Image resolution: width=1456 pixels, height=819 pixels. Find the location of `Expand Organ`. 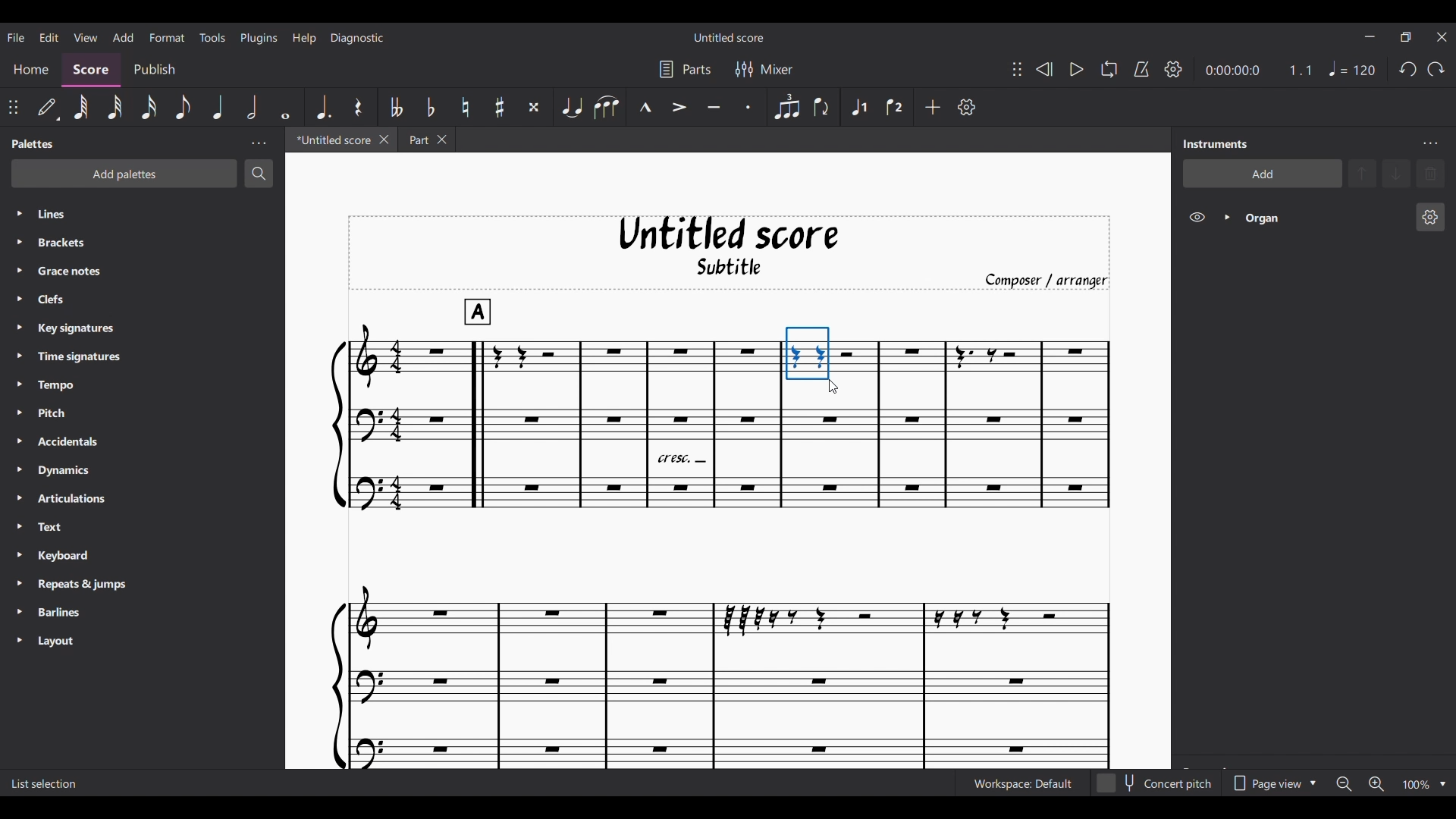

Expand Organ is located at coordinates (1225, 218).